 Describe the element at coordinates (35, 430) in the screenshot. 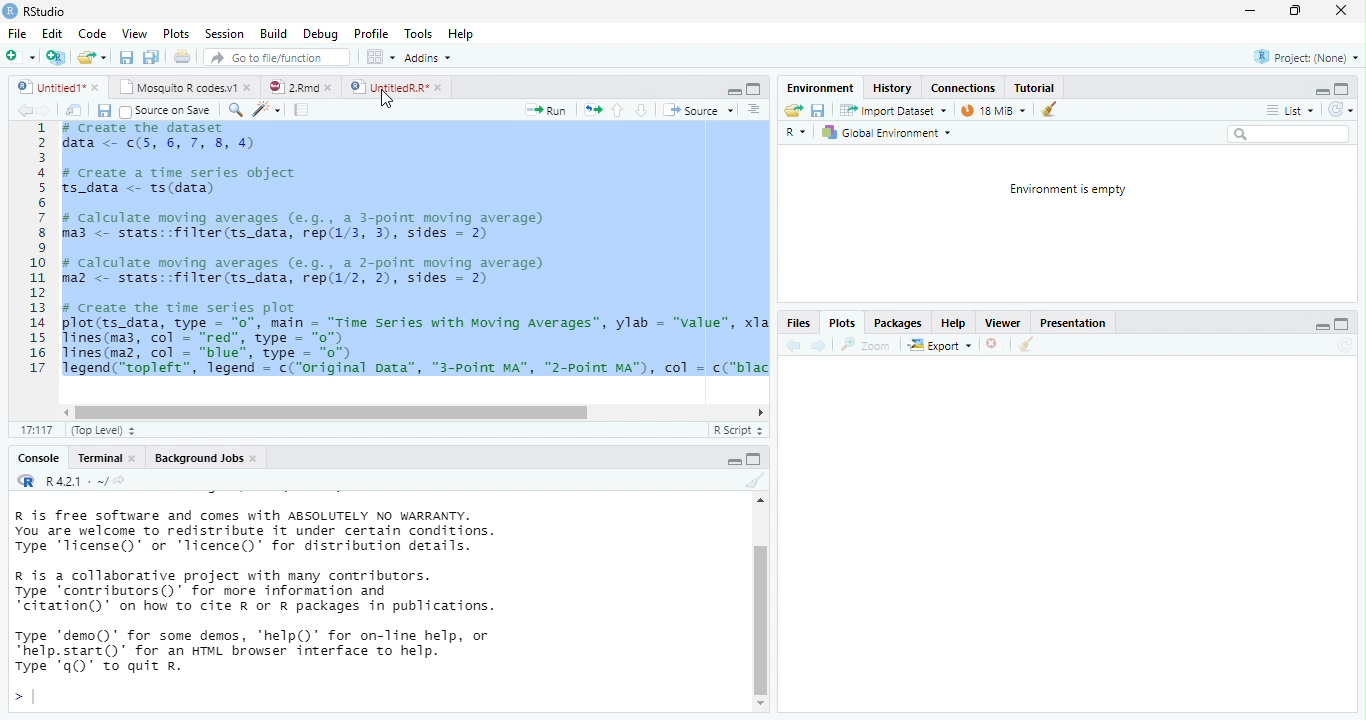

I see `17:17` at that location.